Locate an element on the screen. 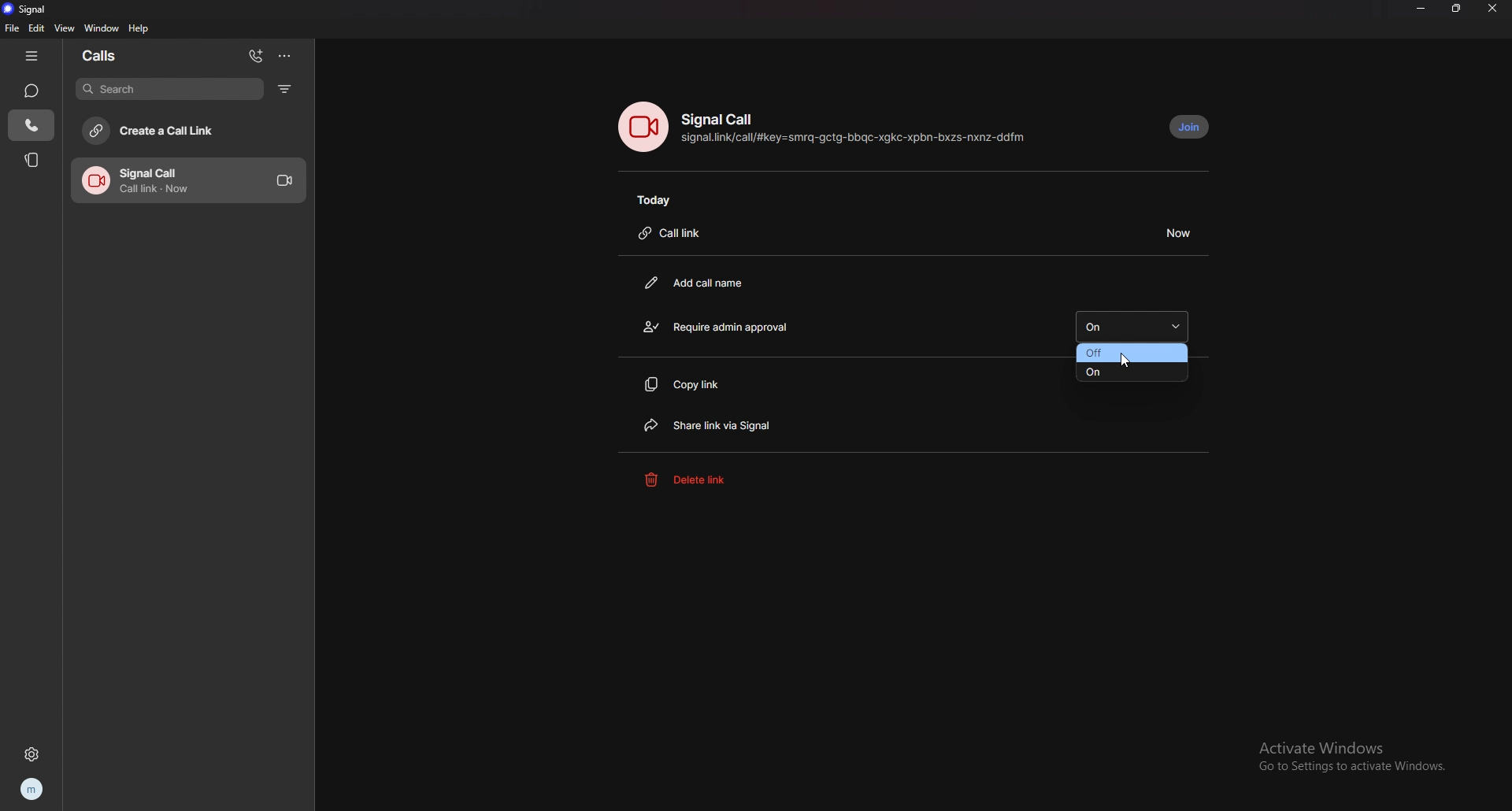 Image resolution: width=1512 pixels, height=811 pixels. edit is located at coordinates (36, 28).